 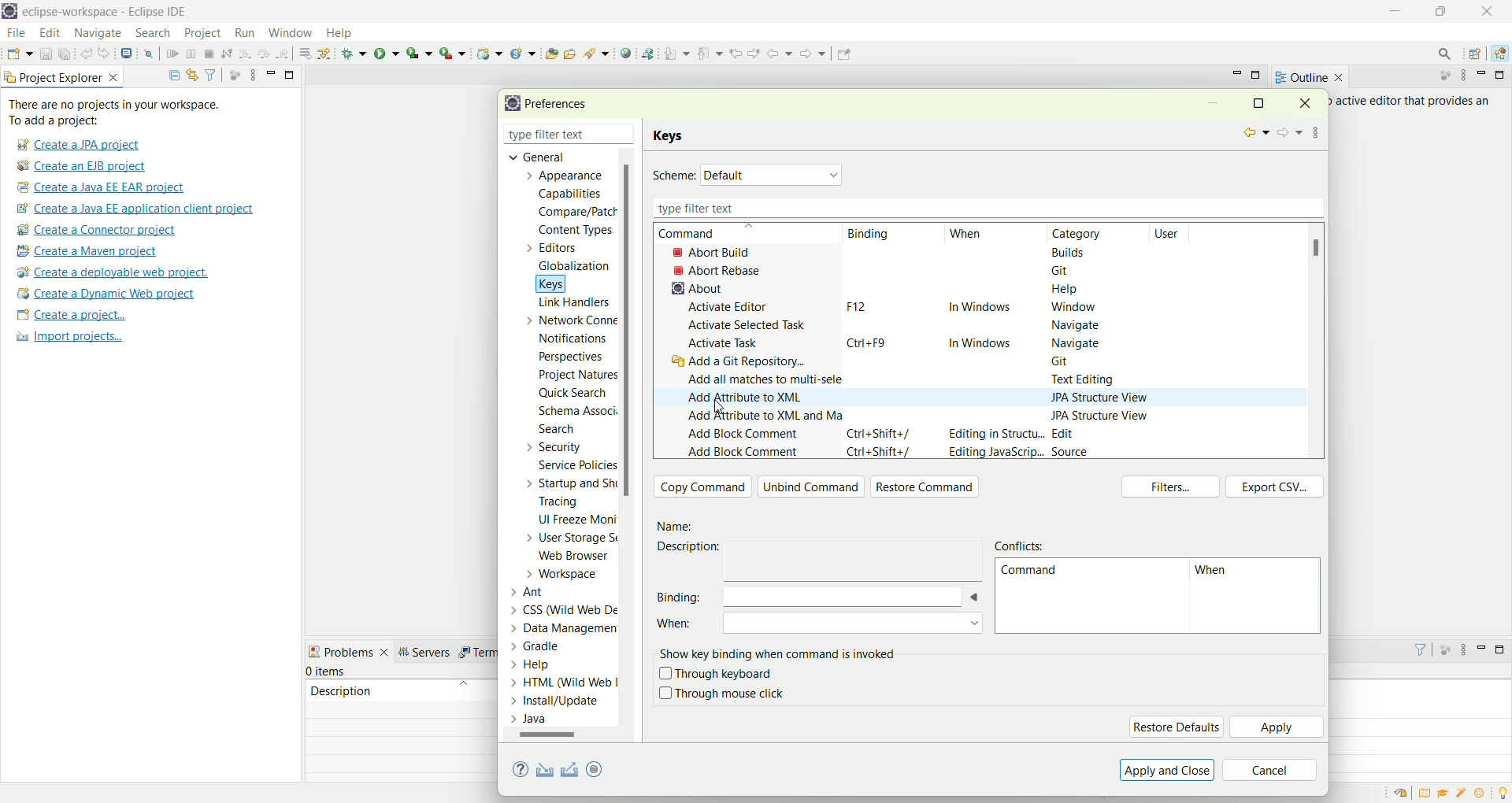 I want to click on focus on active task, so click(x=1437, y=76).